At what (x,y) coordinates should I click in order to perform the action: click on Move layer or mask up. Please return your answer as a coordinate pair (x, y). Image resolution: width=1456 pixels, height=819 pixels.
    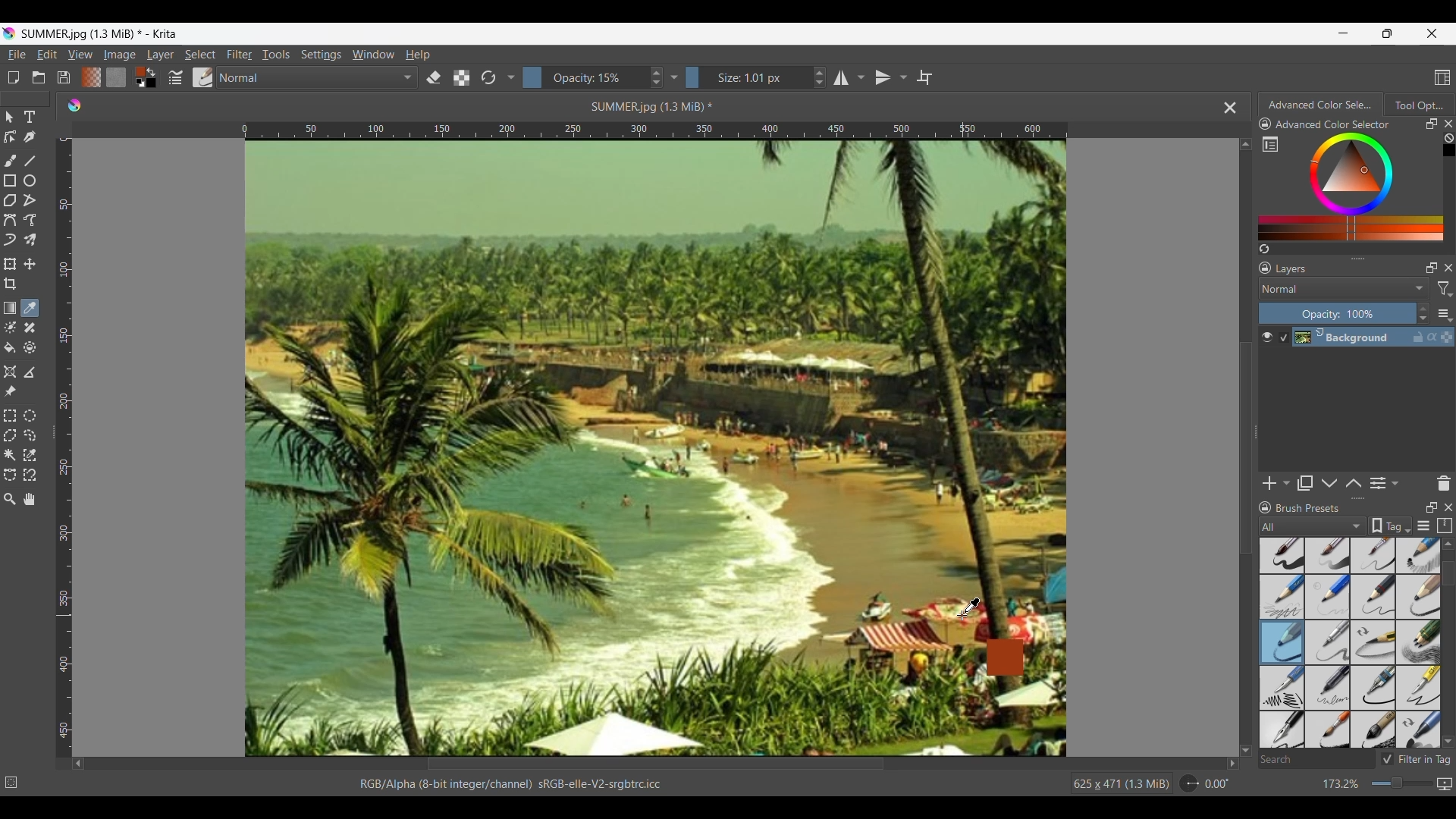
    Looking at the image, I should click on (1353, 483).